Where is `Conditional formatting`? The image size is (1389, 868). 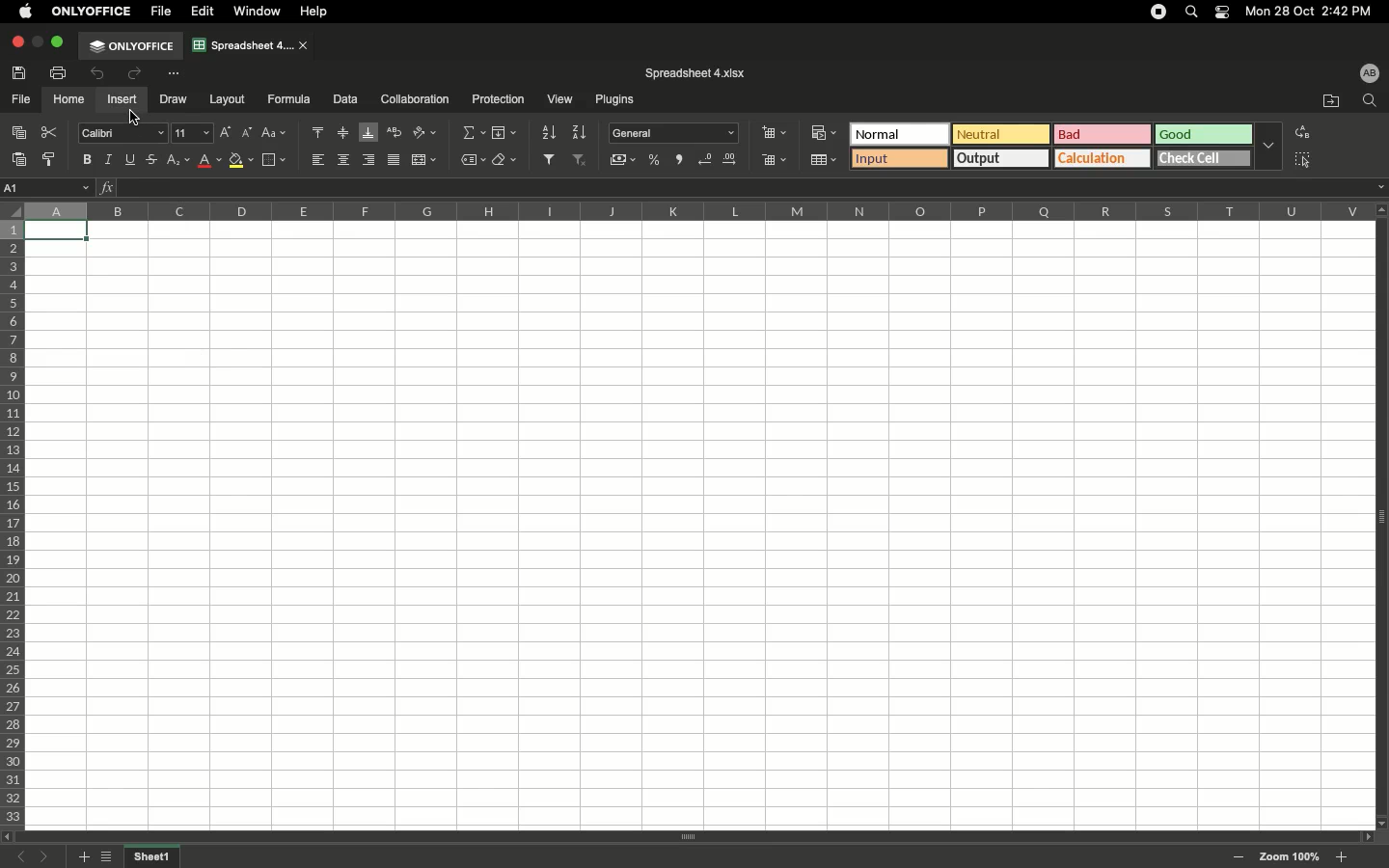 Conditional formatting is located at coordinates (823, 132).